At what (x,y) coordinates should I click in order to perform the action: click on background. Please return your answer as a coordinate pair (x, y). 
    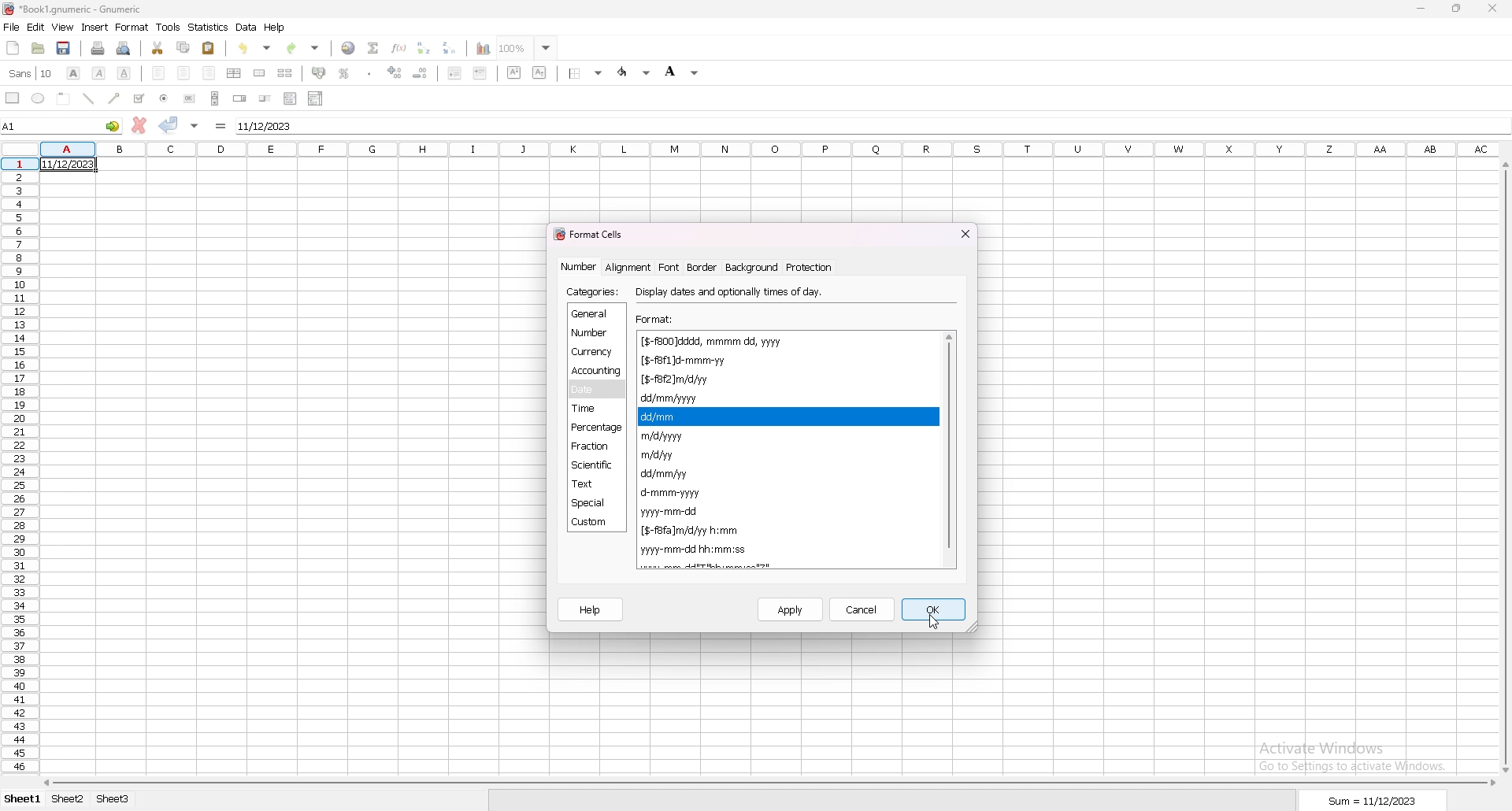
    Looking at the image, I should click on (750, 267).